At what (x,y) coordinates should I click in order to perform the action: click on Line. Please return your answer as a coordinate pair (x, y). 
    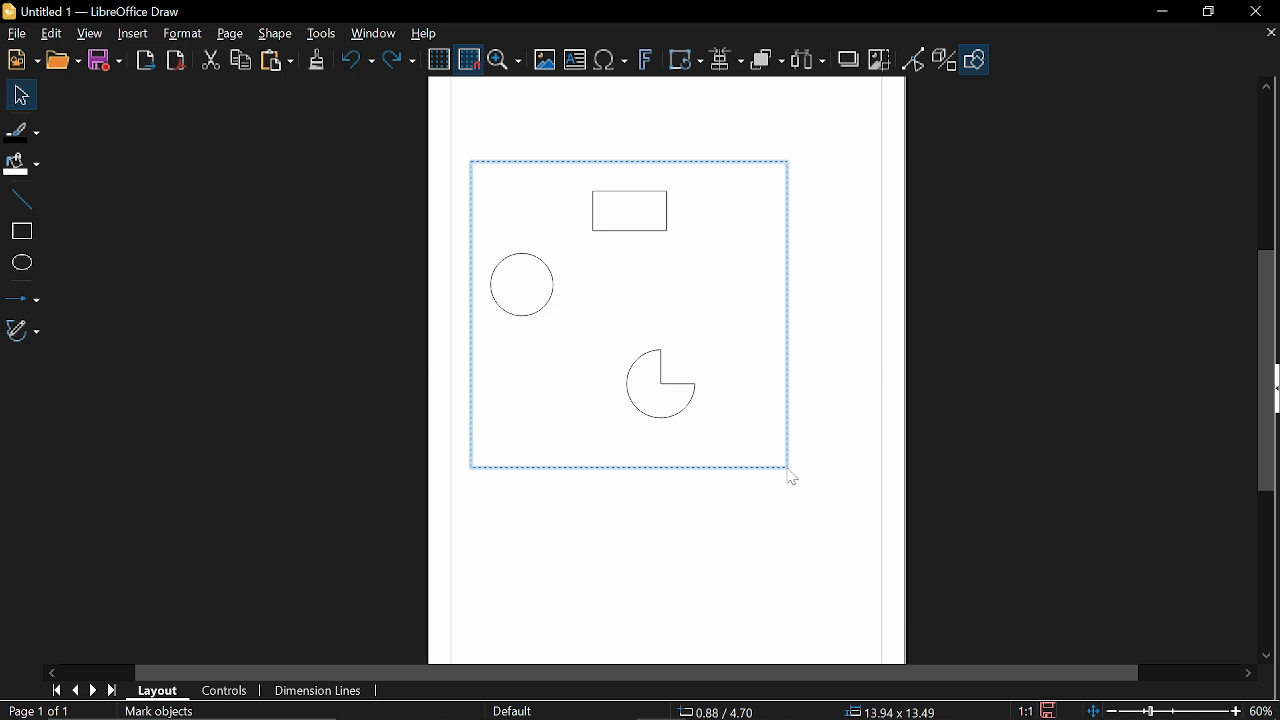
    Looking at the image, I should click on (17, 194).